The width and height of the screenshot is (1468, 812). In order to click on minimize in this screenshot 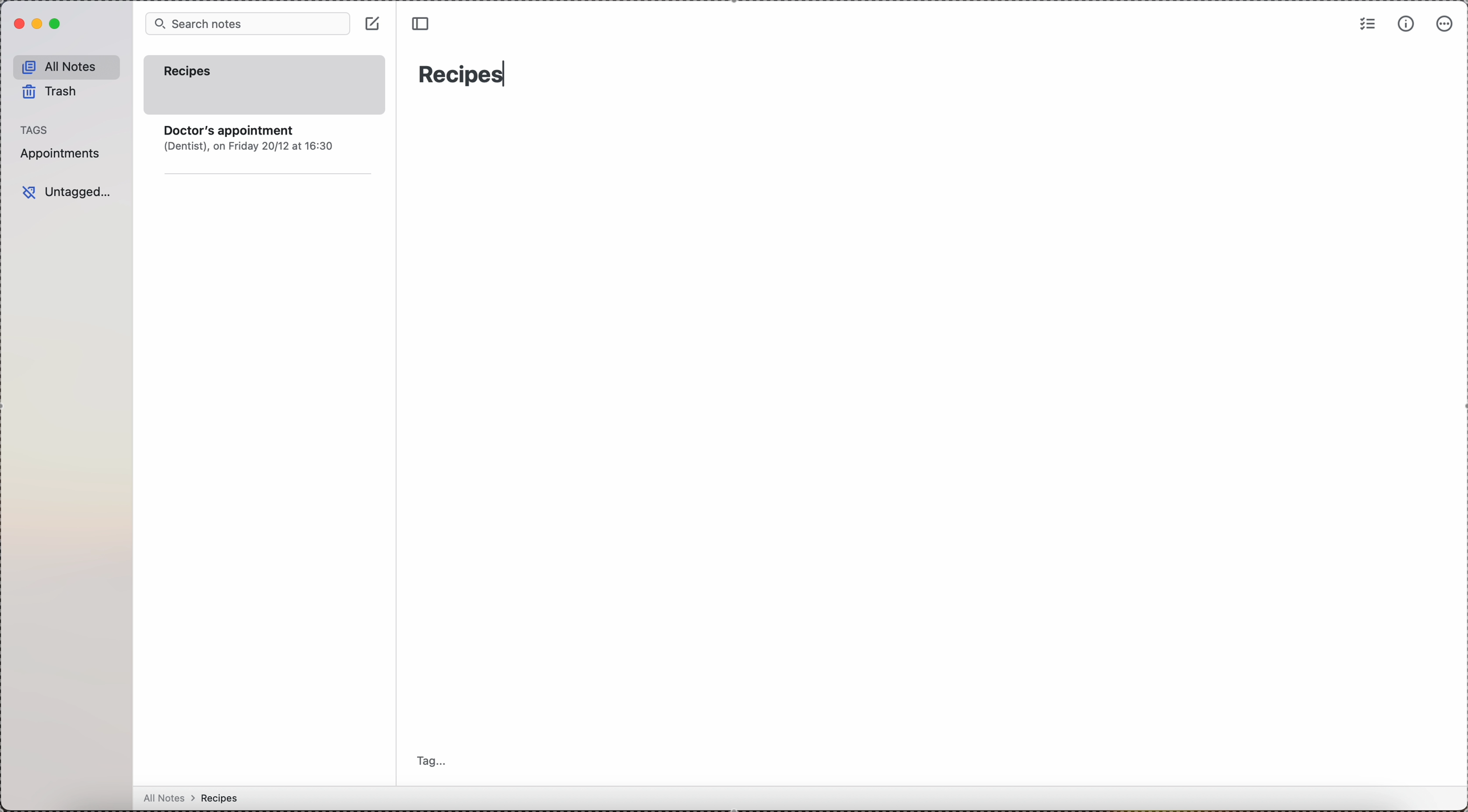, I will do `click(38, 25)`.